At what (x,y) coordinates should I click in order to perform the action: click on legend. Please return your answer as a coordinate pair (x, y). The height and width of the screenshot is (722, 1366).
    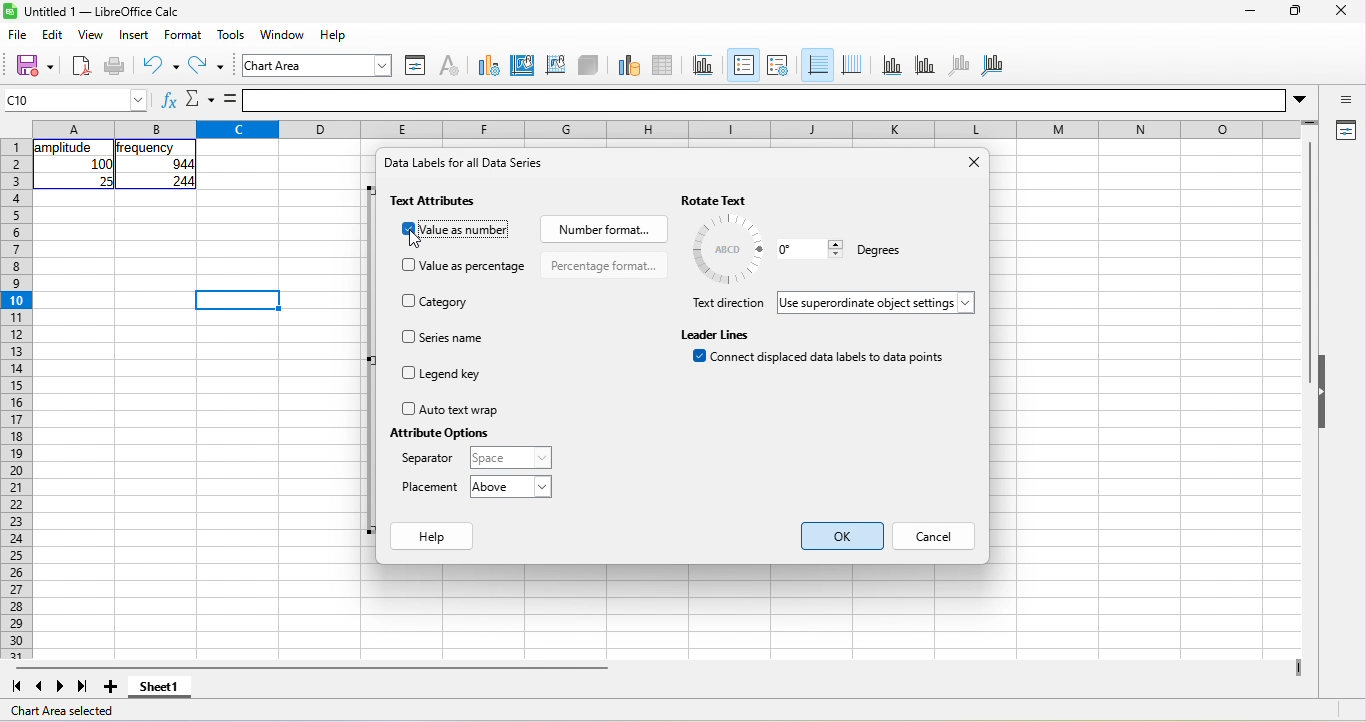
    Looking at the image, I should click on (777, 65).